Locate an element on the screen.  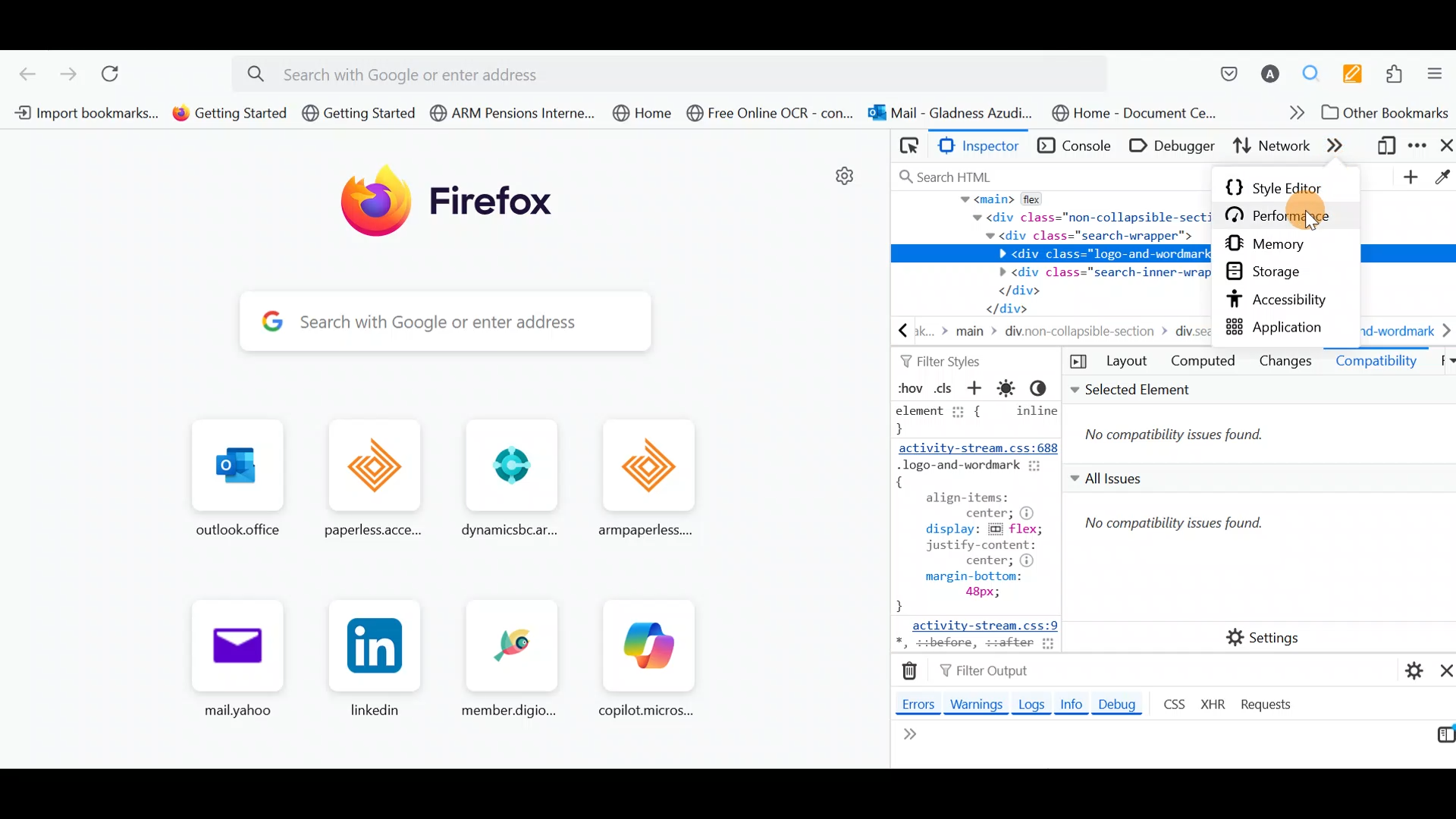
Accessibility is located at coordinates (1287, 301).